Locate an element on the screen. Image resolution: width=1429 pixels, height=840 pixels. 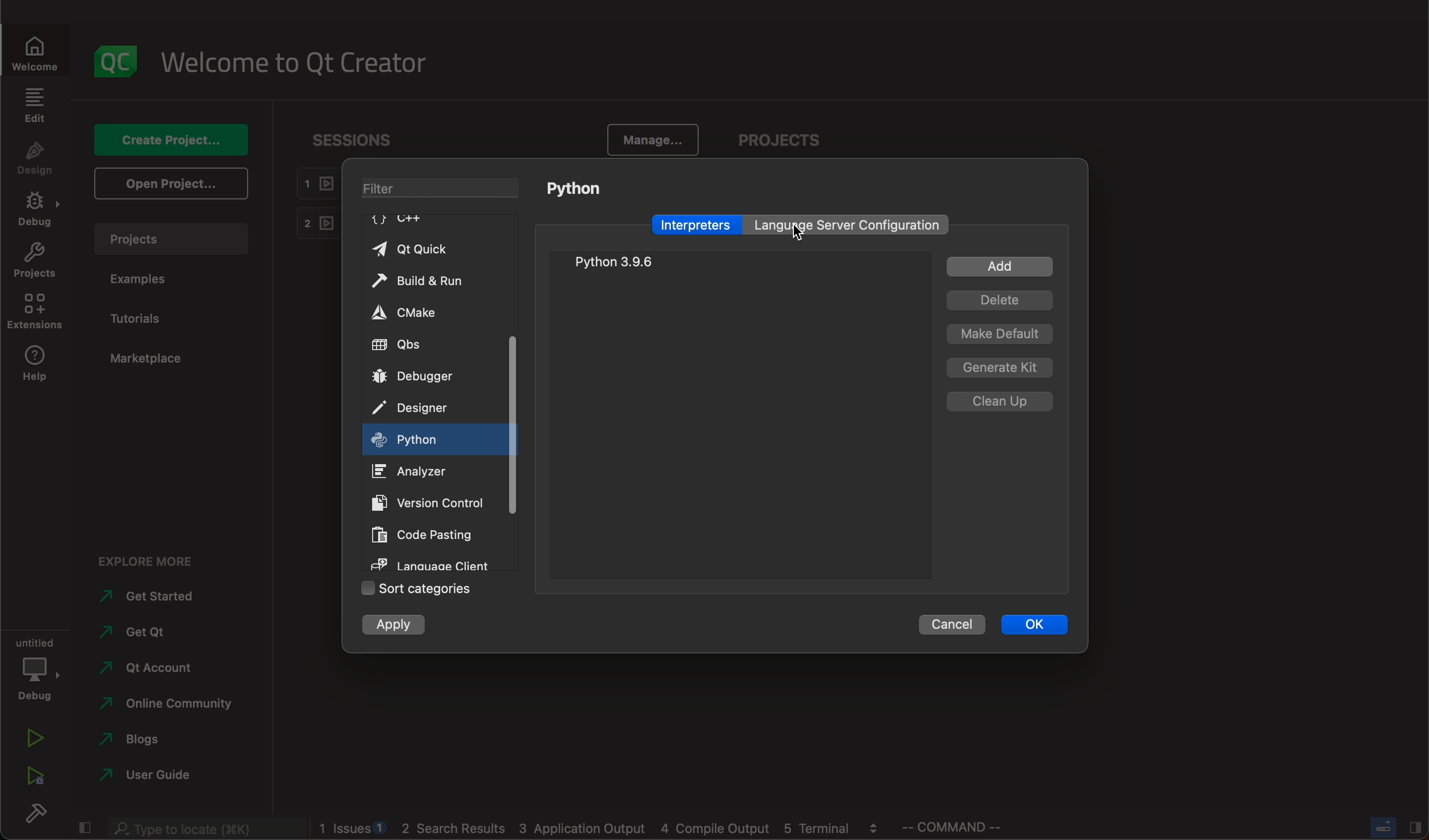
community is located at coordinates (174, 705).